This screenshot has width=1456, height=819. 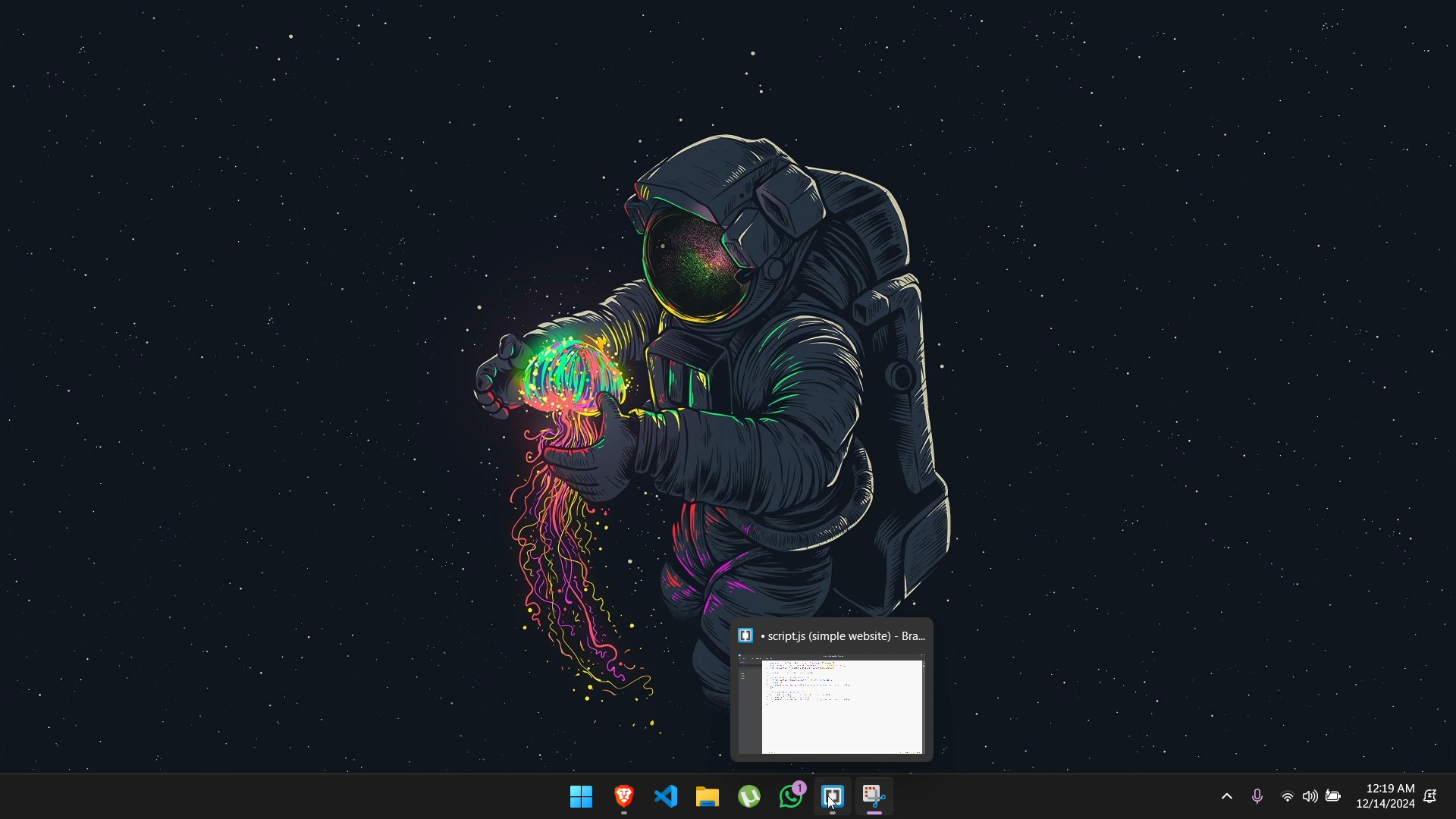 What do you see at coordinates (624, 798) in the screenshot?
I see `brave` at bounding box center [624, 798].